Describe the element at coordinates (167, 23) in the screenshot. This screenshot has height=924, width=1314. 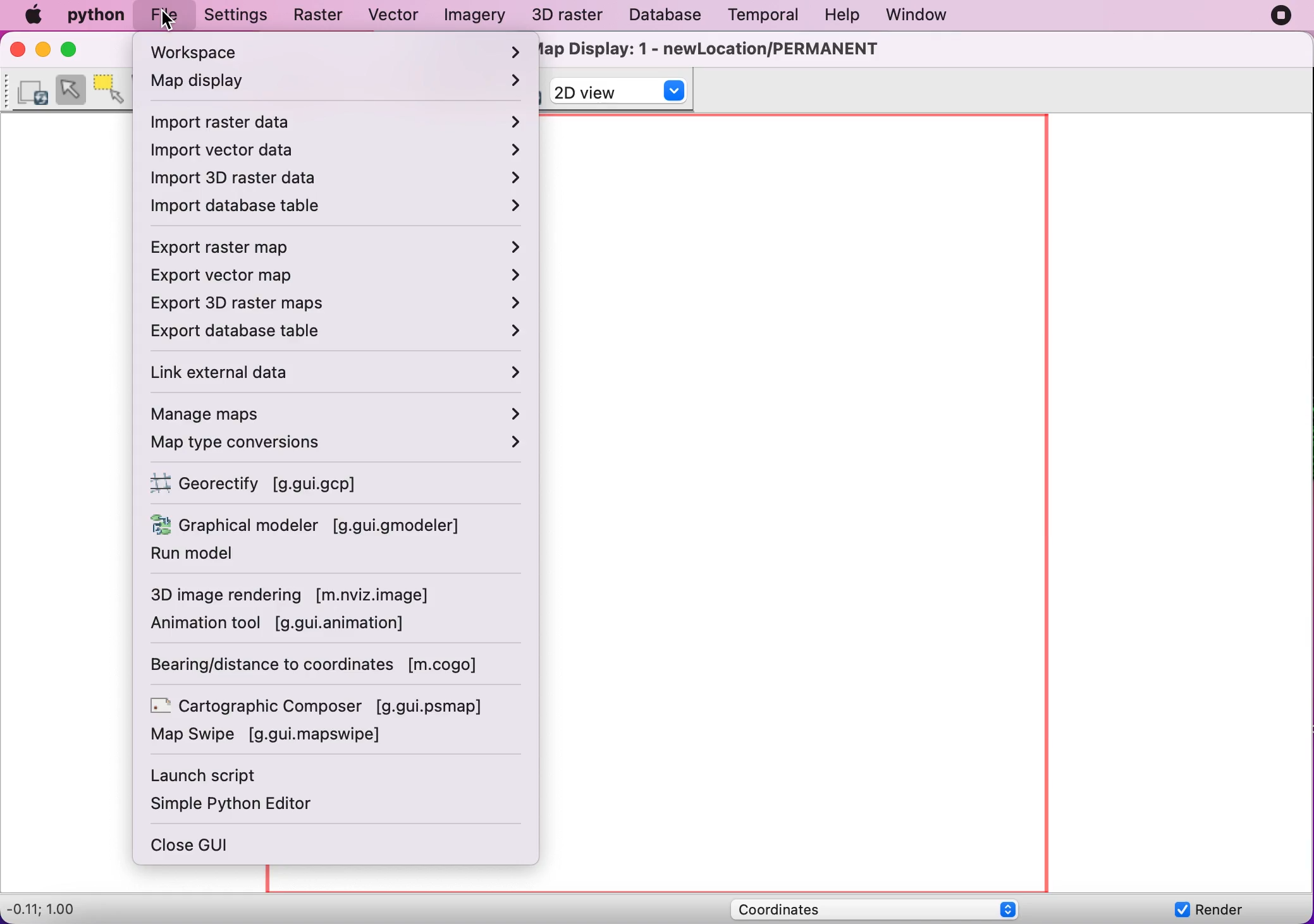
I see `cursor` at that location.